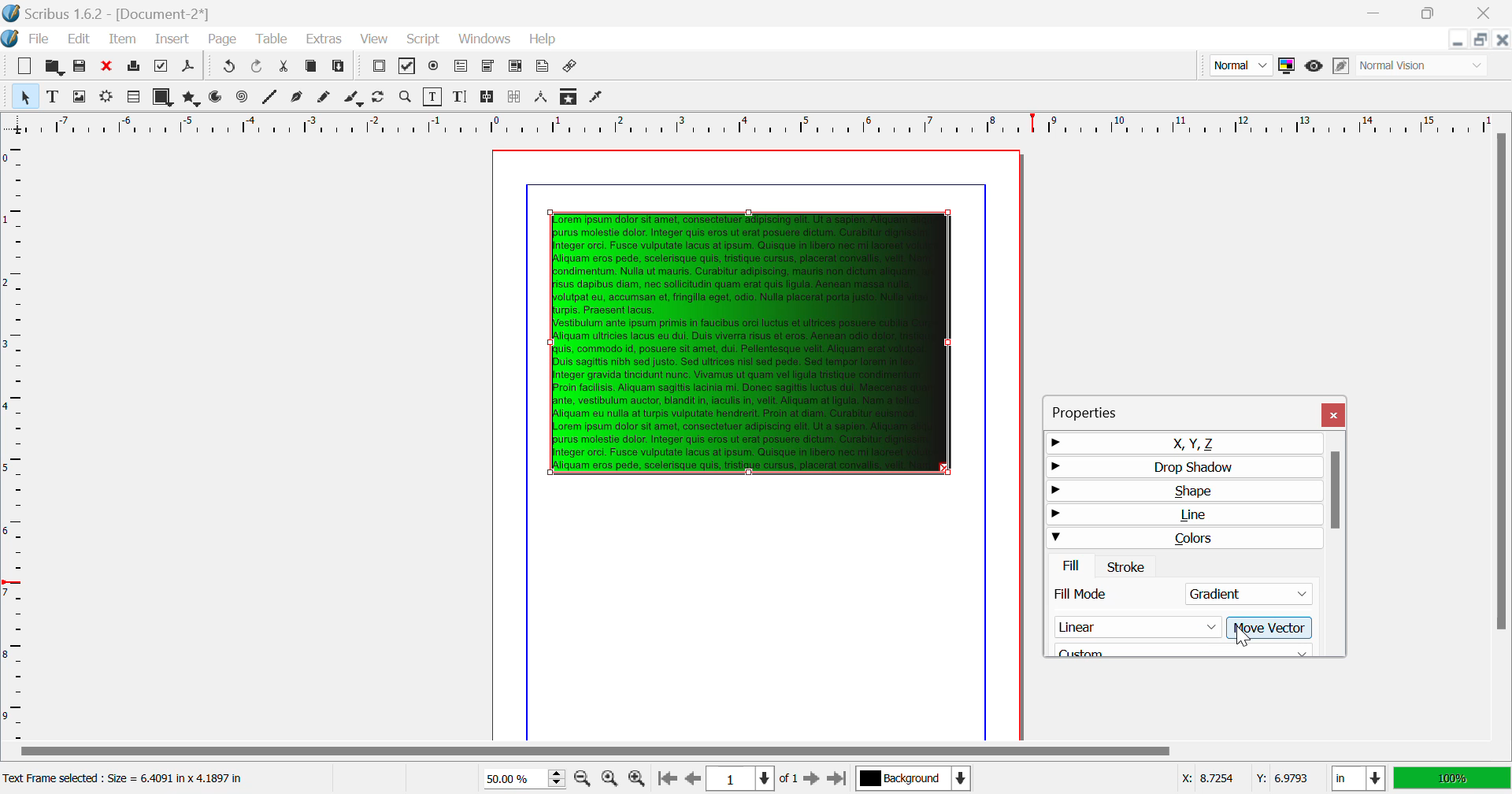  What do you see at coordinates (461, 67) in the screenshot?
I see `Pdf Text Fields` at bounding box center [461, 67].